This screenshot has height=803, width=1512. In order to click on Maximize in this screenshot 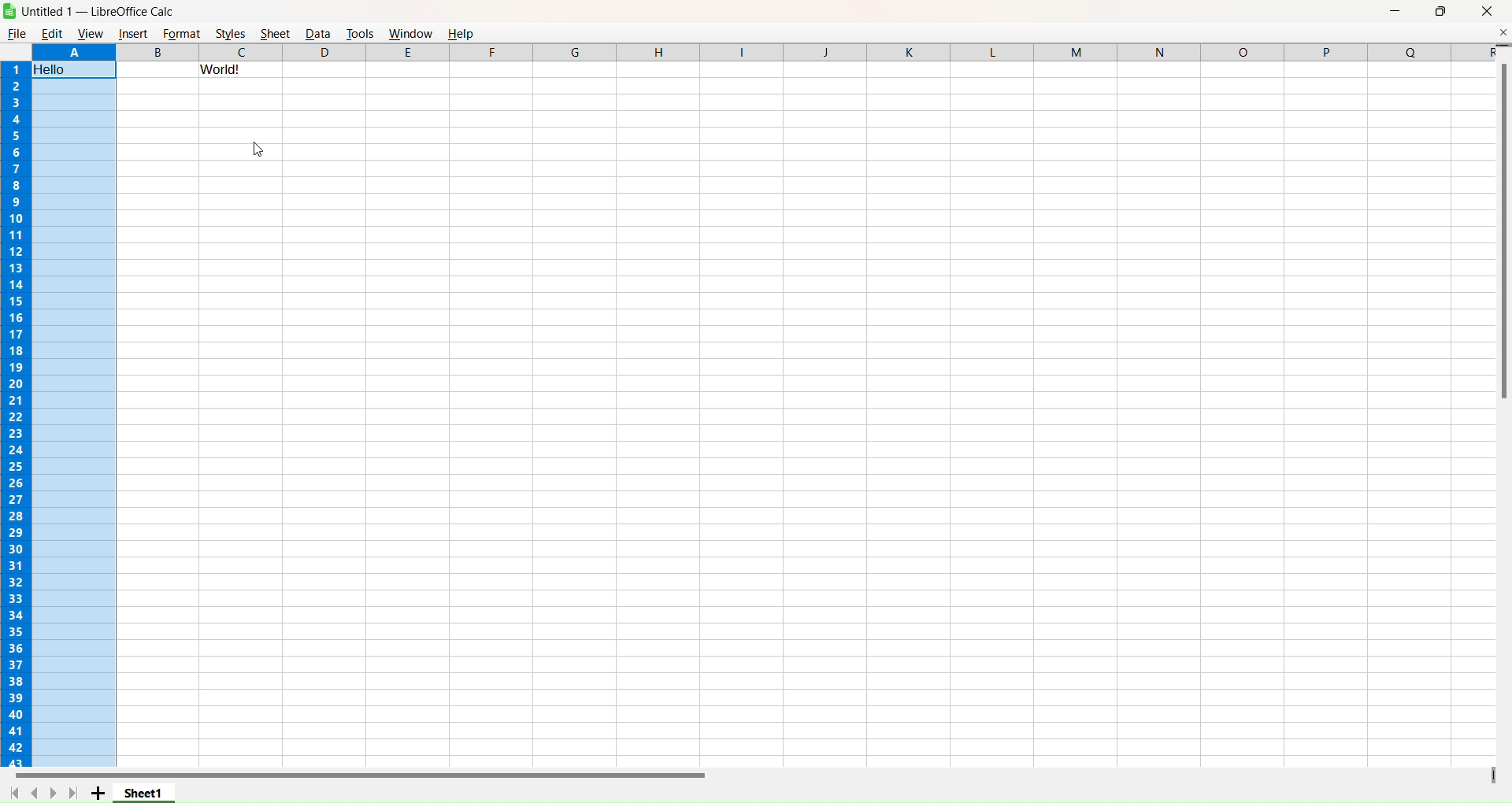, I will do `click(1442, 12)`.